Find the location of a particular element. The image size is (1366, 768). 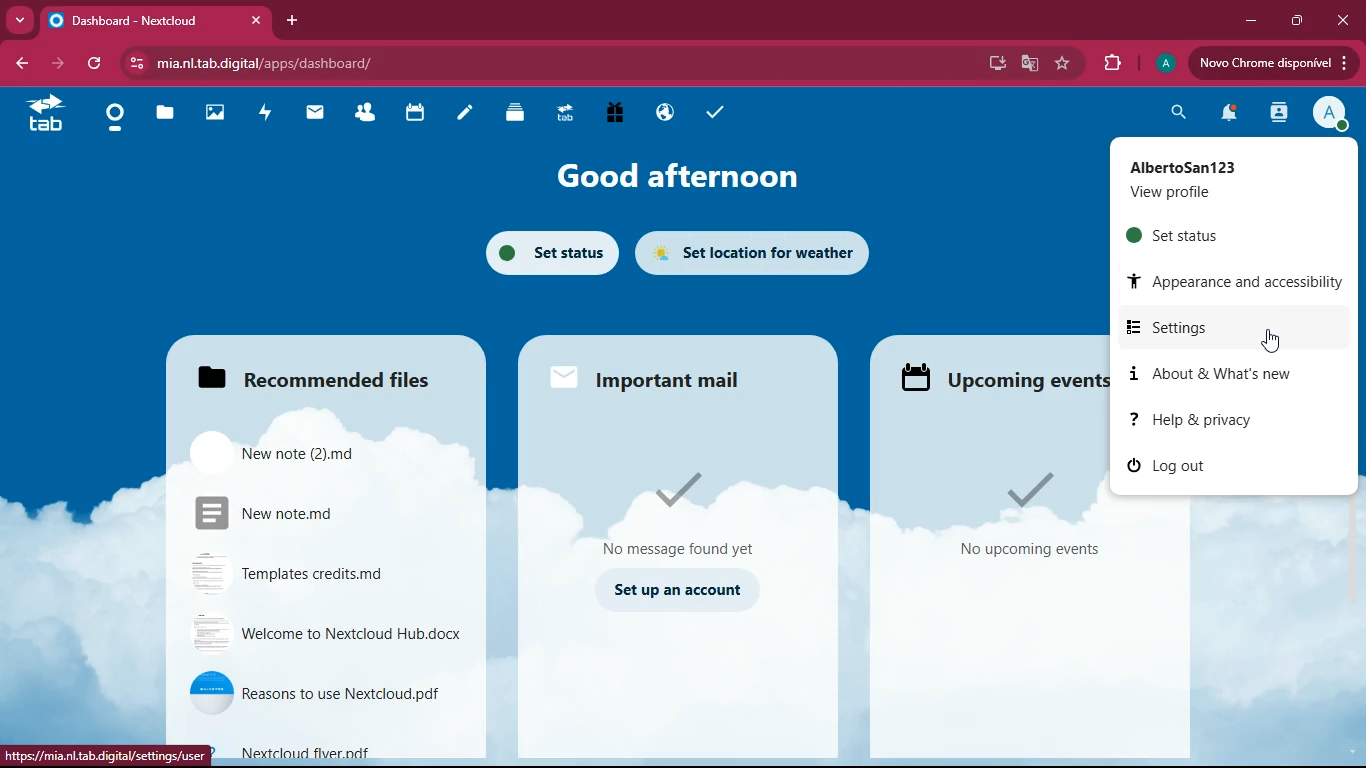

google translate is located at coordinates (1032, 63).